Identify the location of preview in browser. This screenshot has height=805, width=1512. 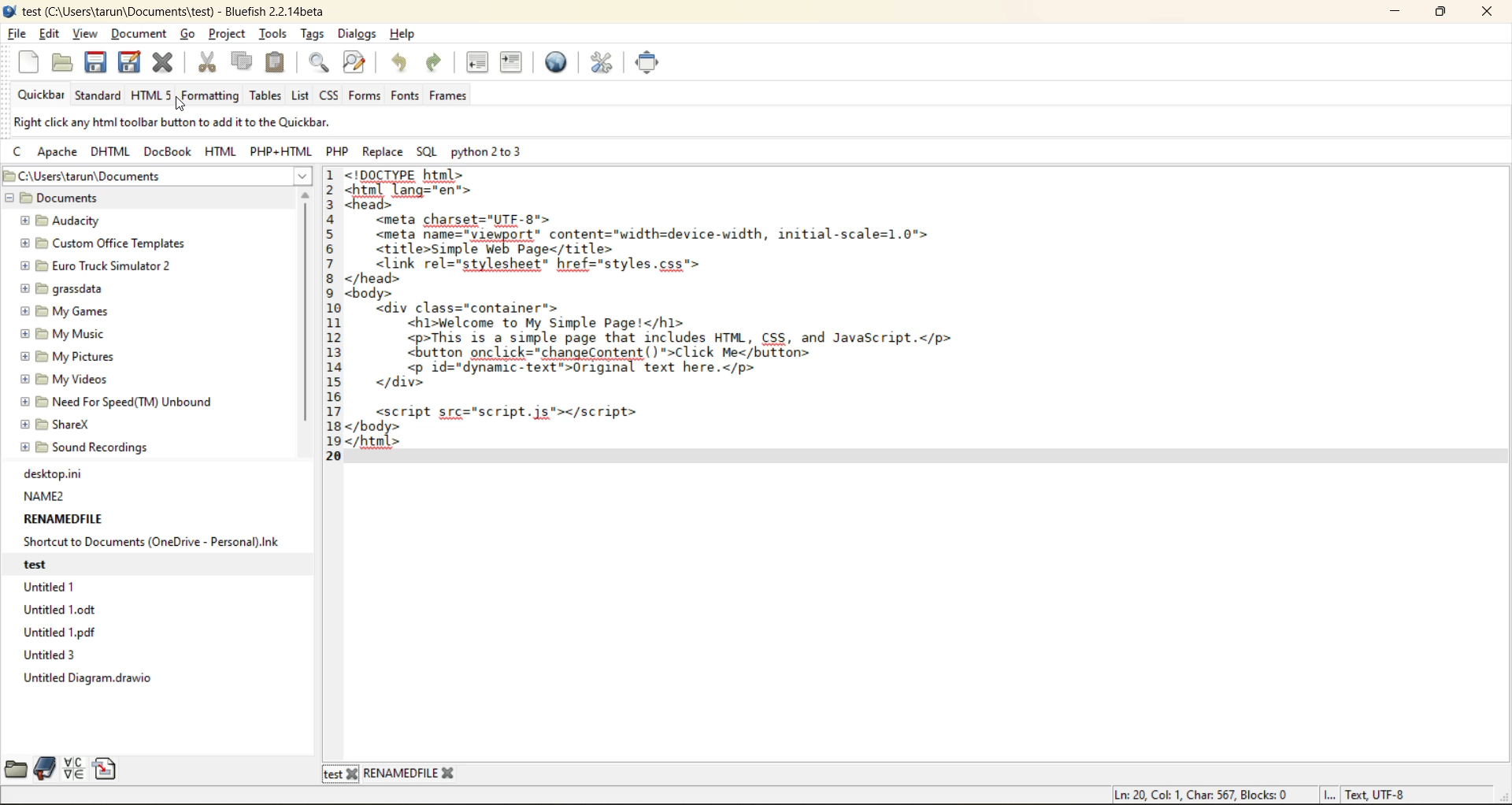
(558, 61).